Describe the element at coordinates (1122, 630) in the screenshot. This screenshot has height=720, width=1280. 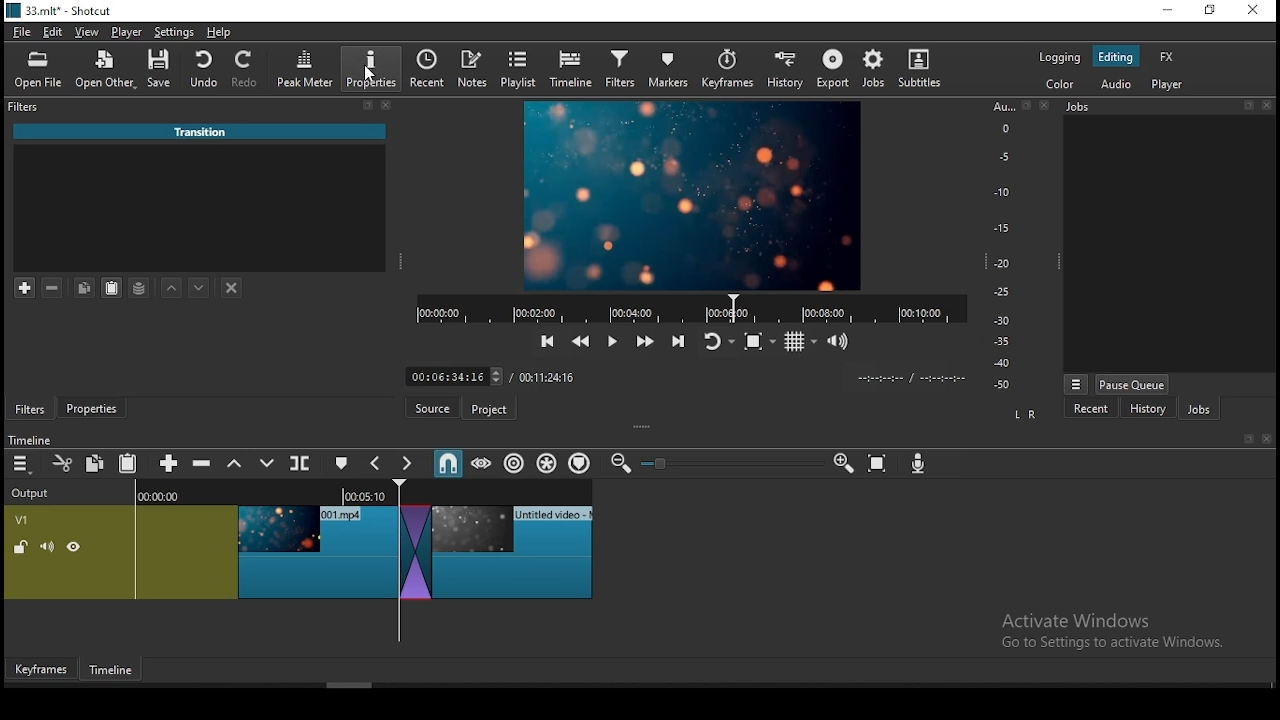
I see `Activate windows` at that location.